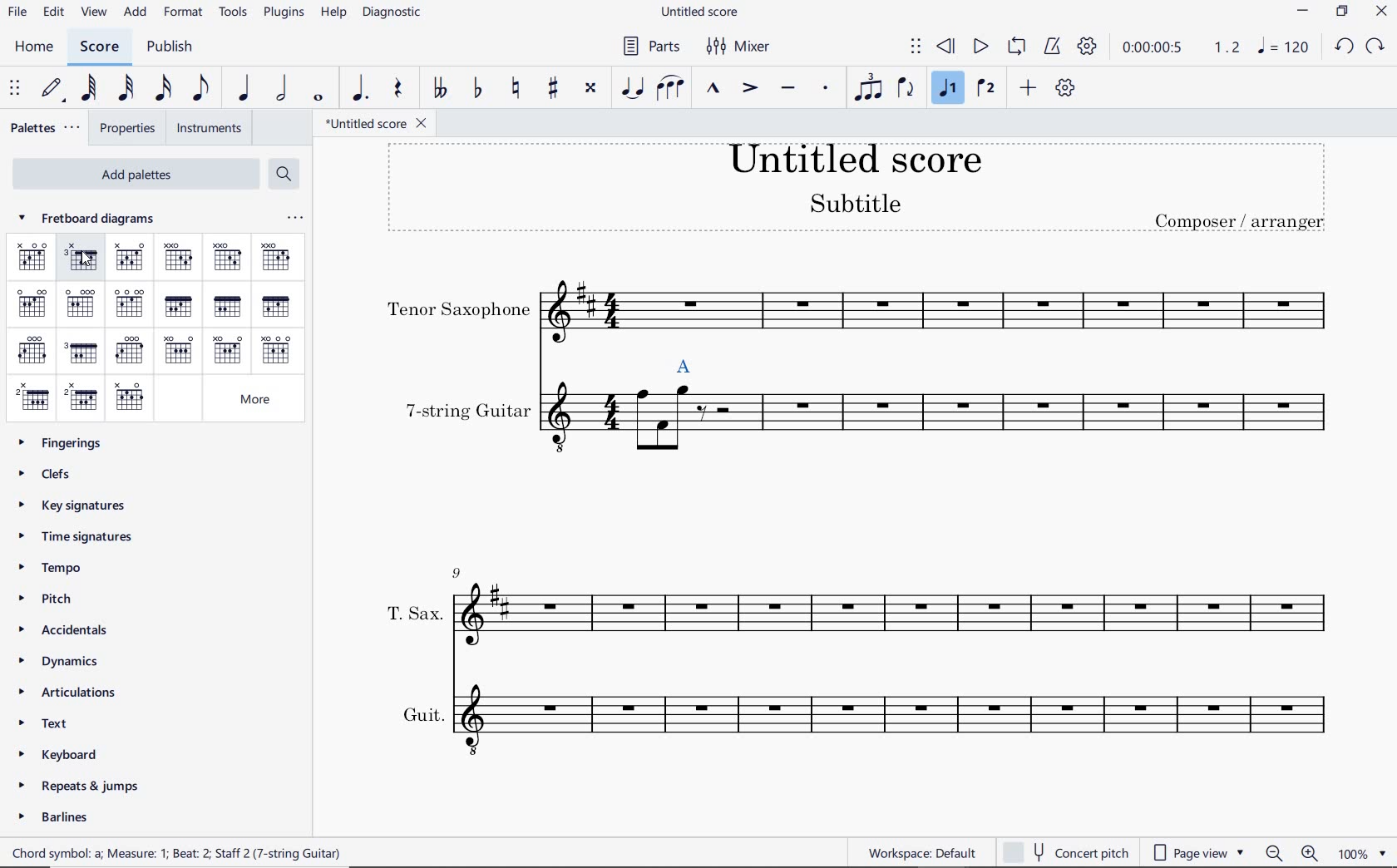 This screenshot has height=868, width=1397. Describe the element at coordinates (402, 88) in the screenshot. I see `REST` at that location.